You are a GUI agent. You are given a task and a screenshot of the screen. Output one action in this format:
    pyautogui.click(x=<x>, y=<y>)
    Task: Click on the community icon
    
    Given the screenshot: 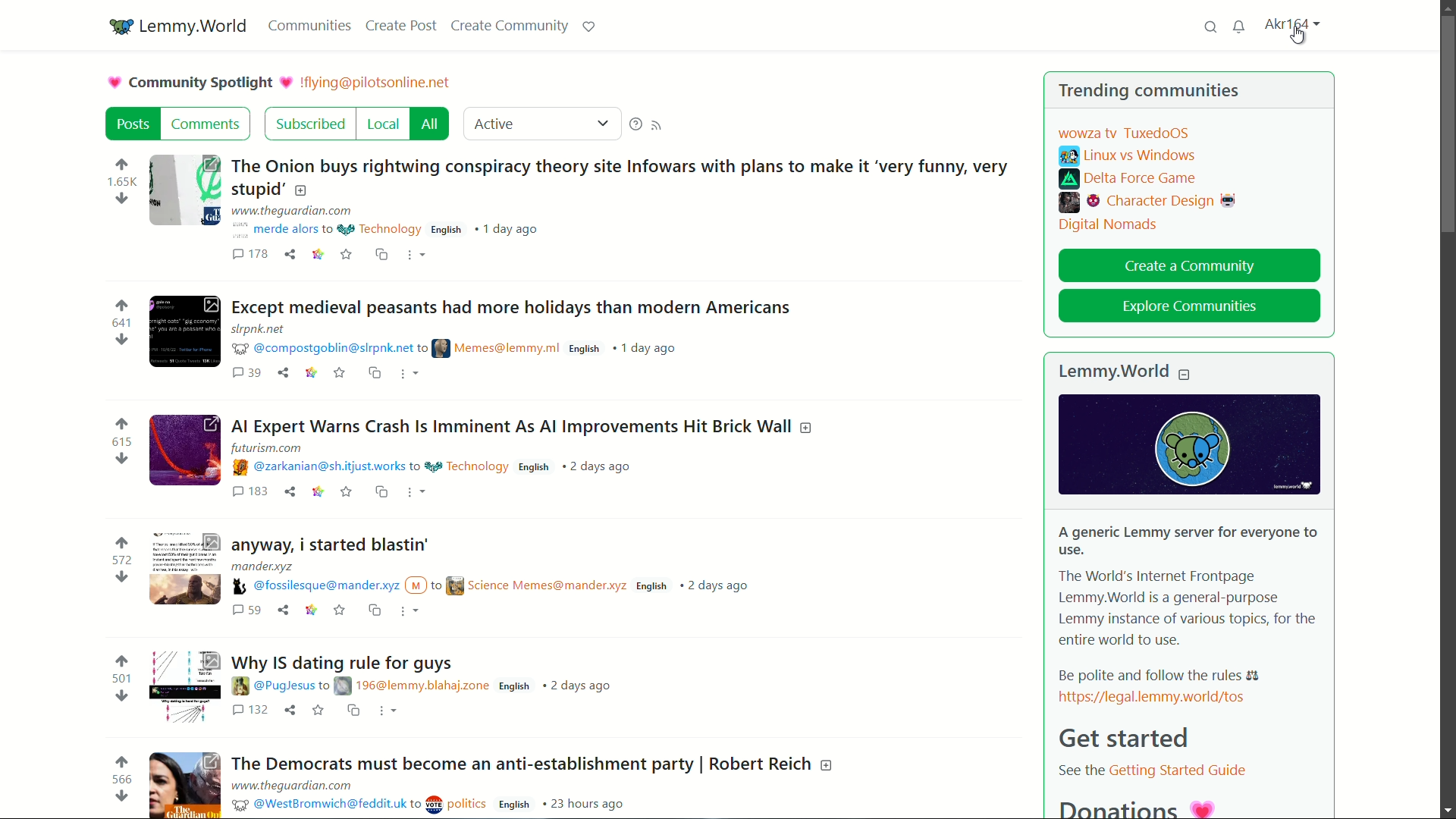 What is the action you would take?
    pyautogui.click(x=122, y=27)
    